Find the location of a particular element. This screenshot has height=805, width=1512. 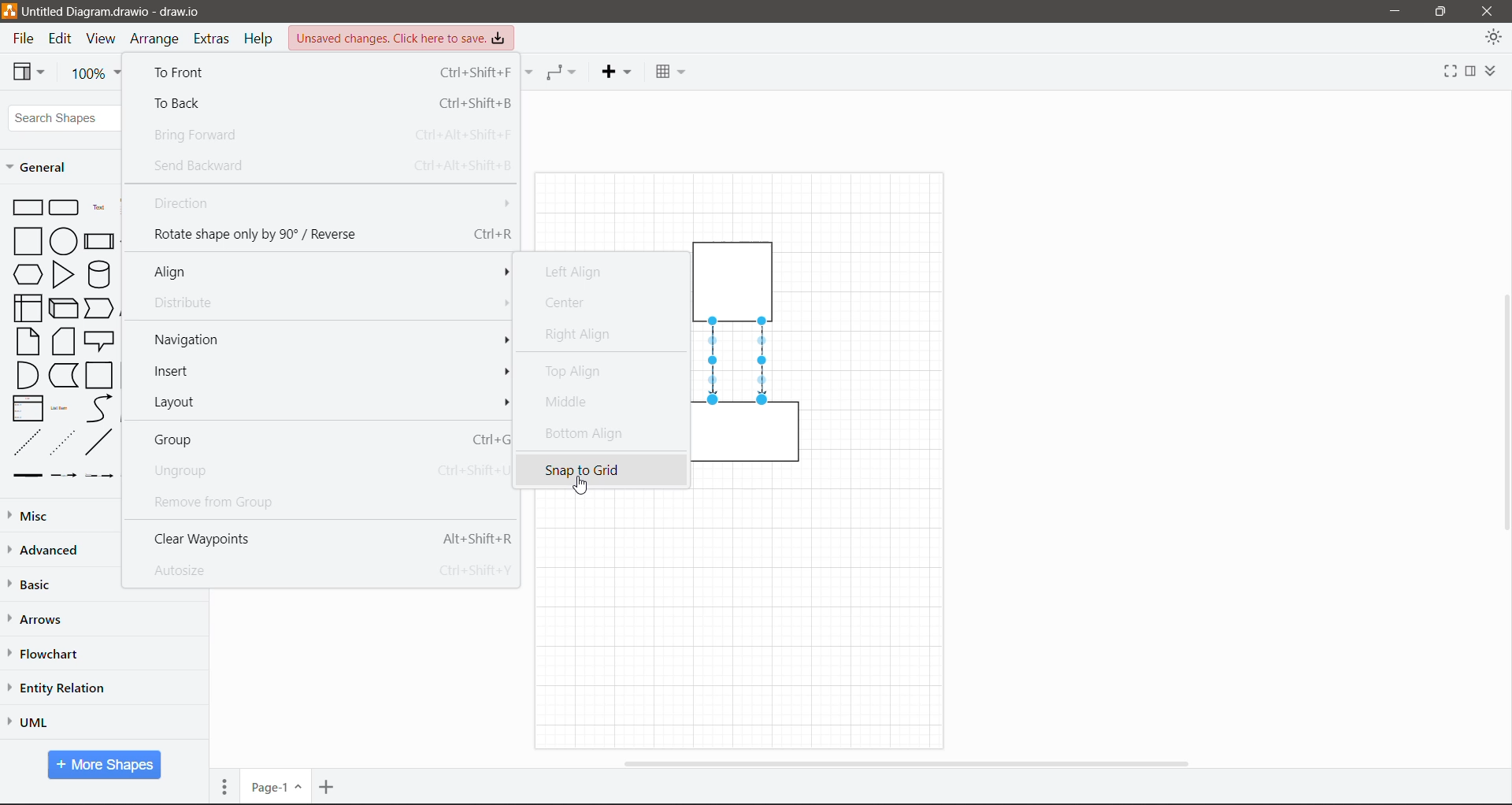

Circle is located at coordinates (63, 240).